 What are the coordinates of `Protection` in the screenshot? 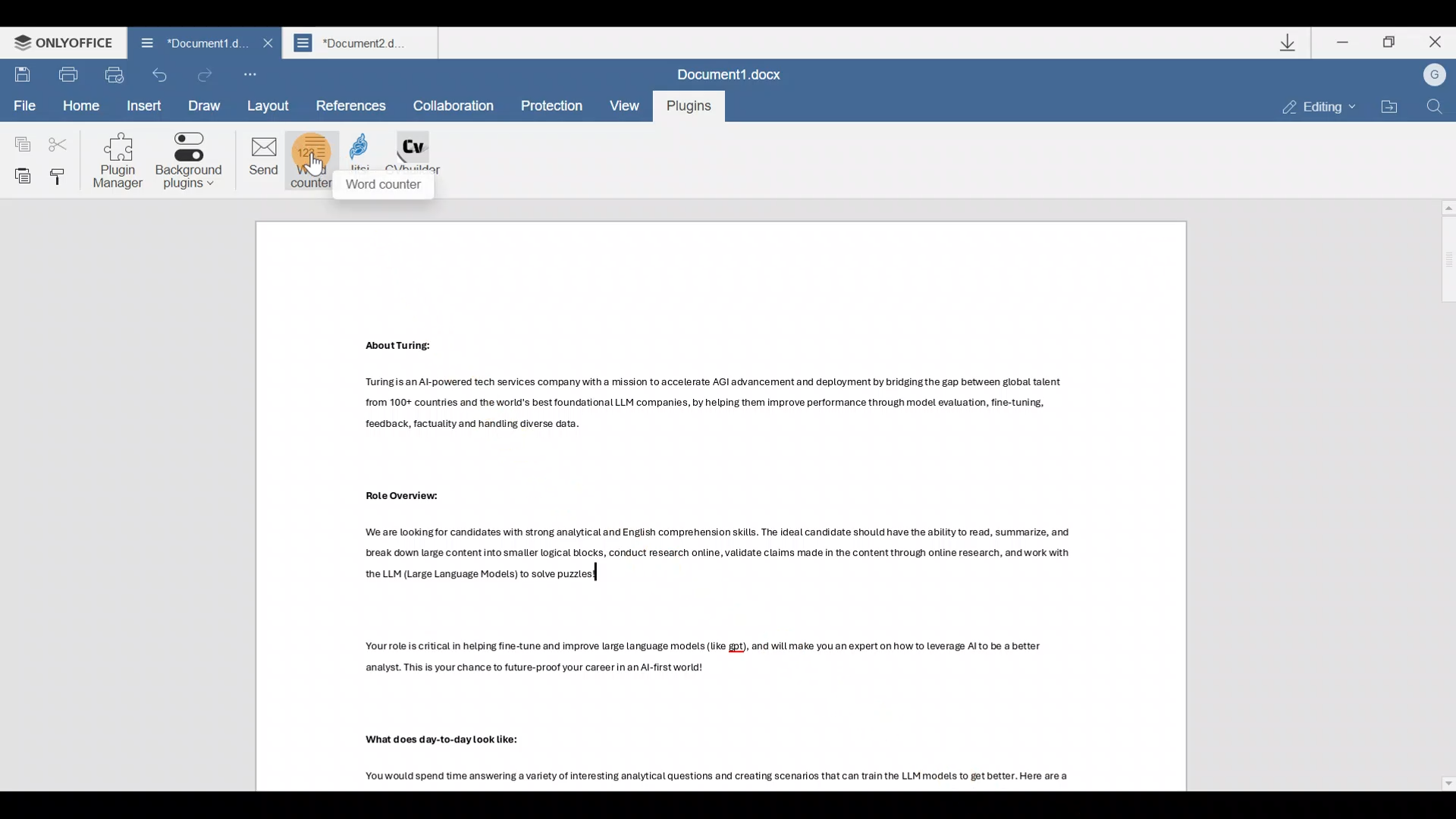 It's located at (551, 105).